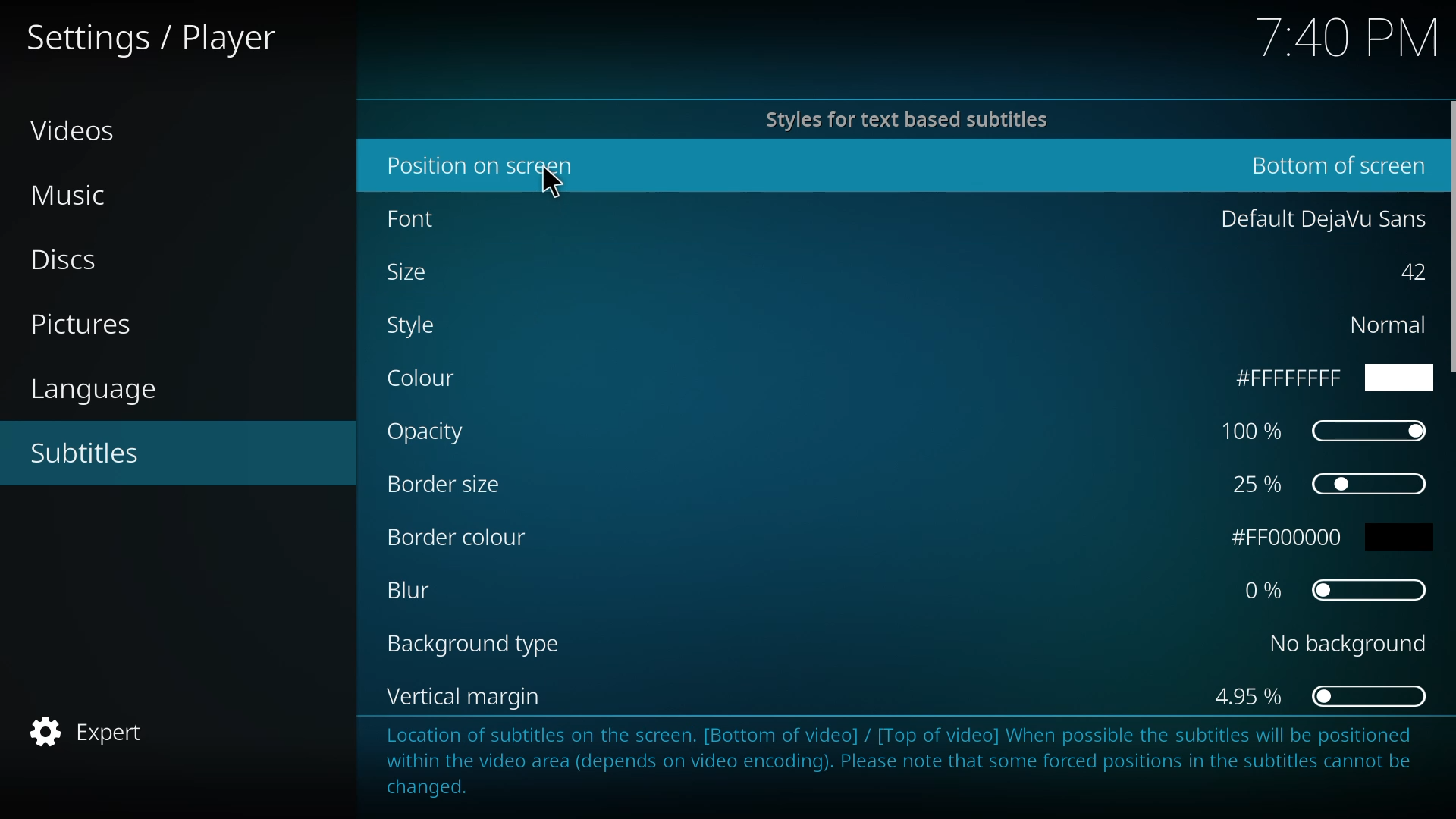  I want to click on music, so click(76, 196).